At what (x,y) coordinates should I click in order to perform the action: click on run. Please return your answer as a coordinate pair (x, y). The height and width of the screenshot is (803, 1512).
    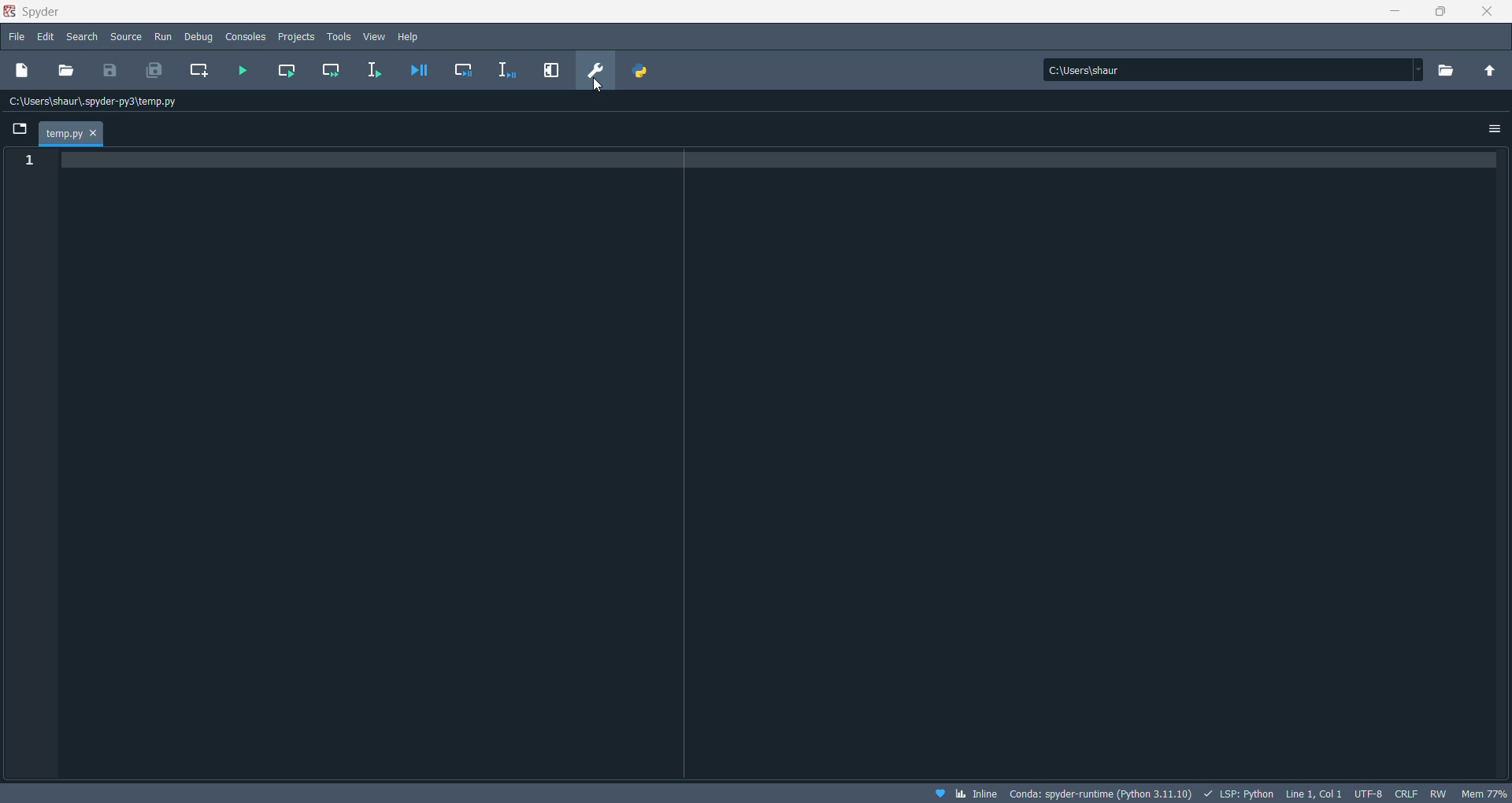
    Looking at the image, I should click on (162, 38).